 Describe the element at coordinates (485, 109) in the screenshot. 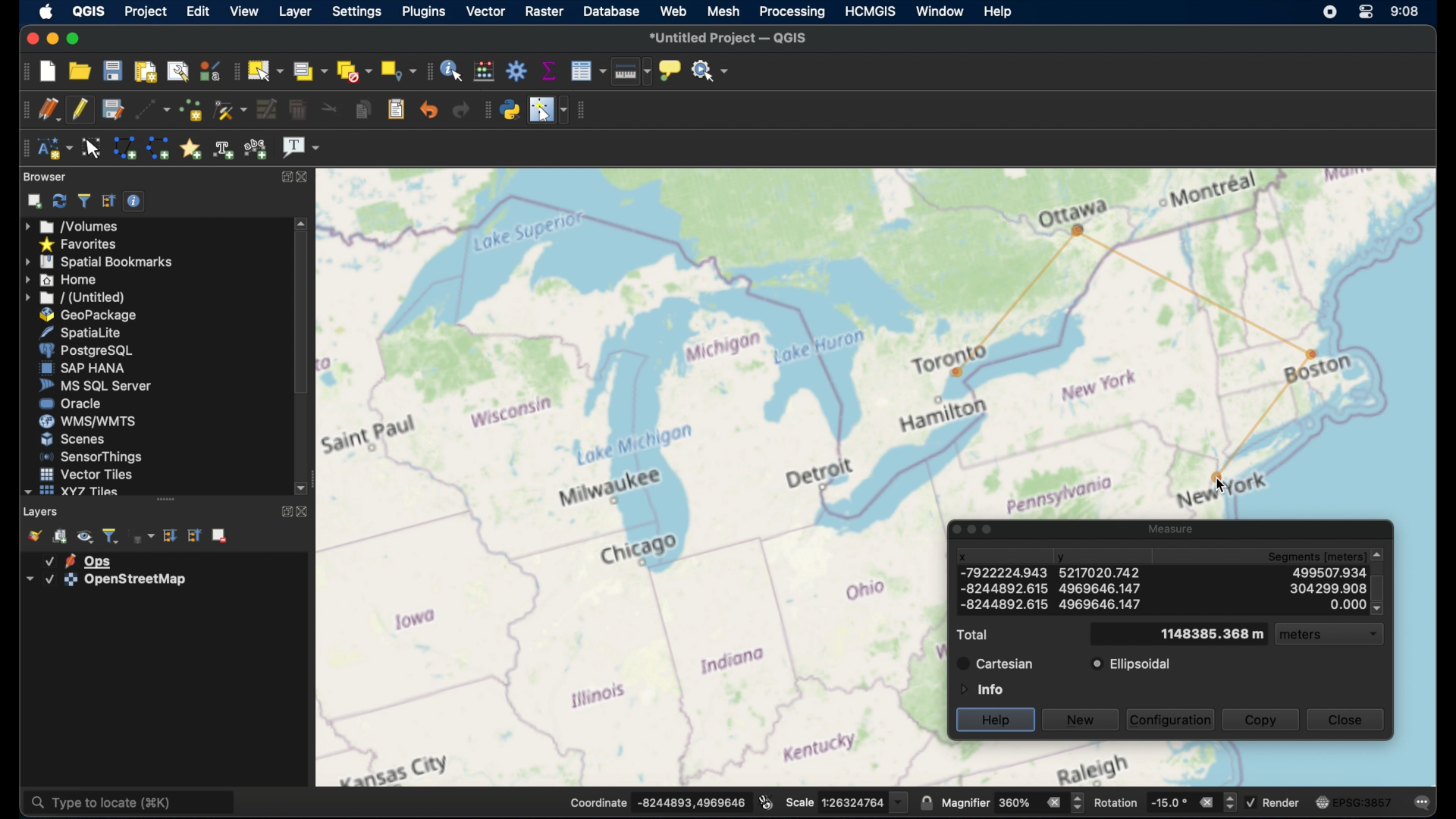

I see `plugins toolbar` at that location.